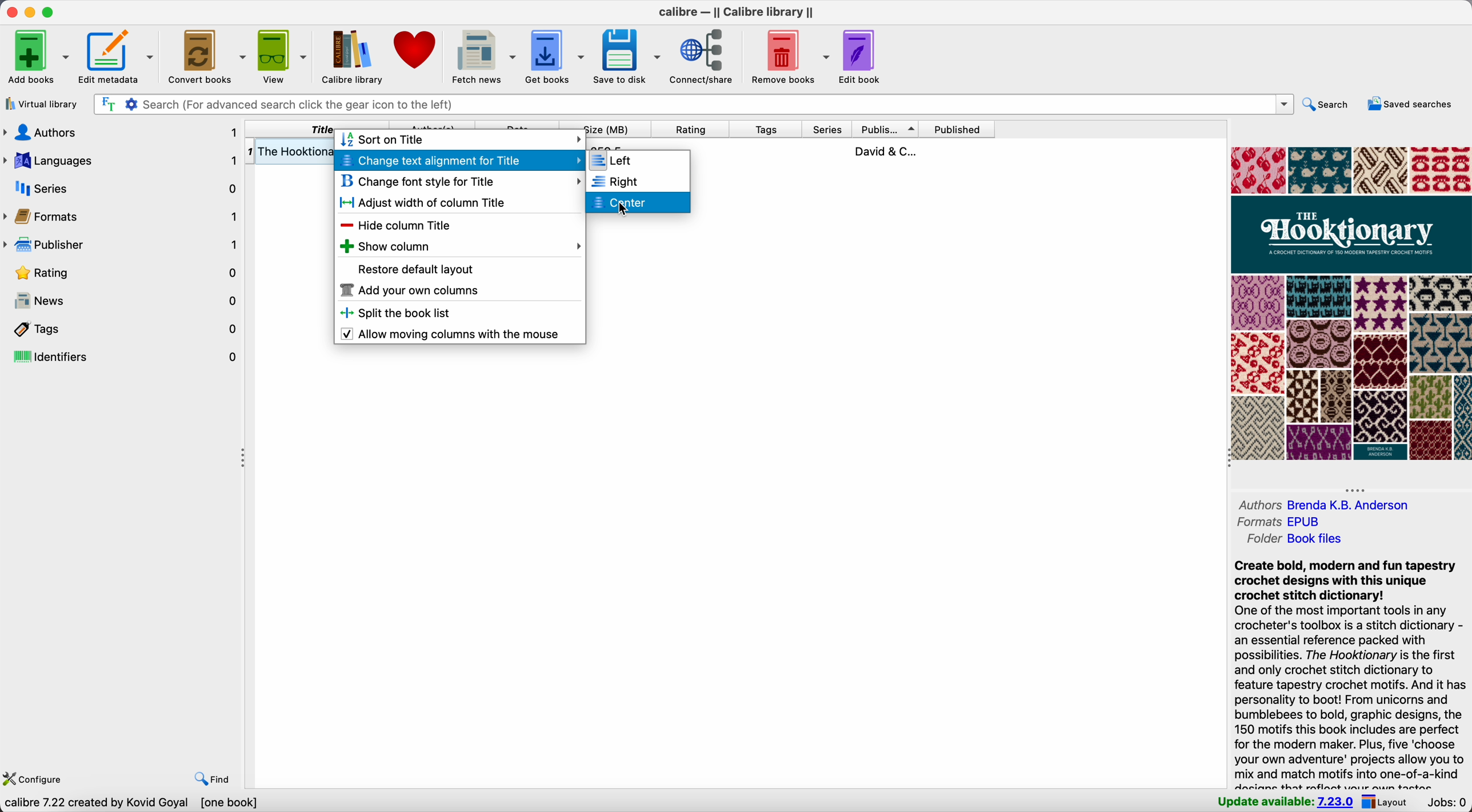 The width and height of the screenshot is (1472, 812). I want to click on Cursor, so click(623, 210).